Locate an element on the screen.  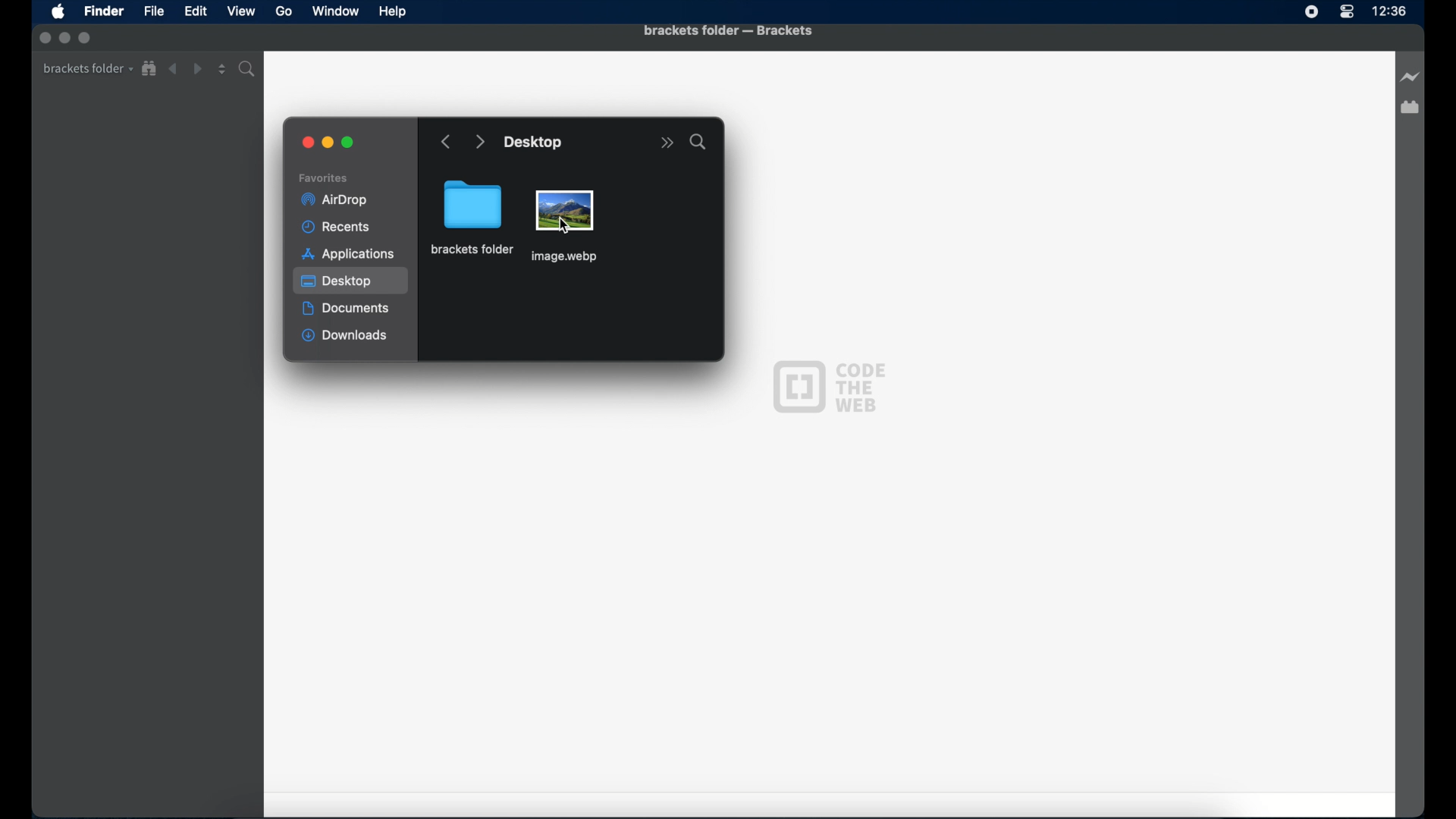
brackets folder - brackets is located at coordinates (728, 32).